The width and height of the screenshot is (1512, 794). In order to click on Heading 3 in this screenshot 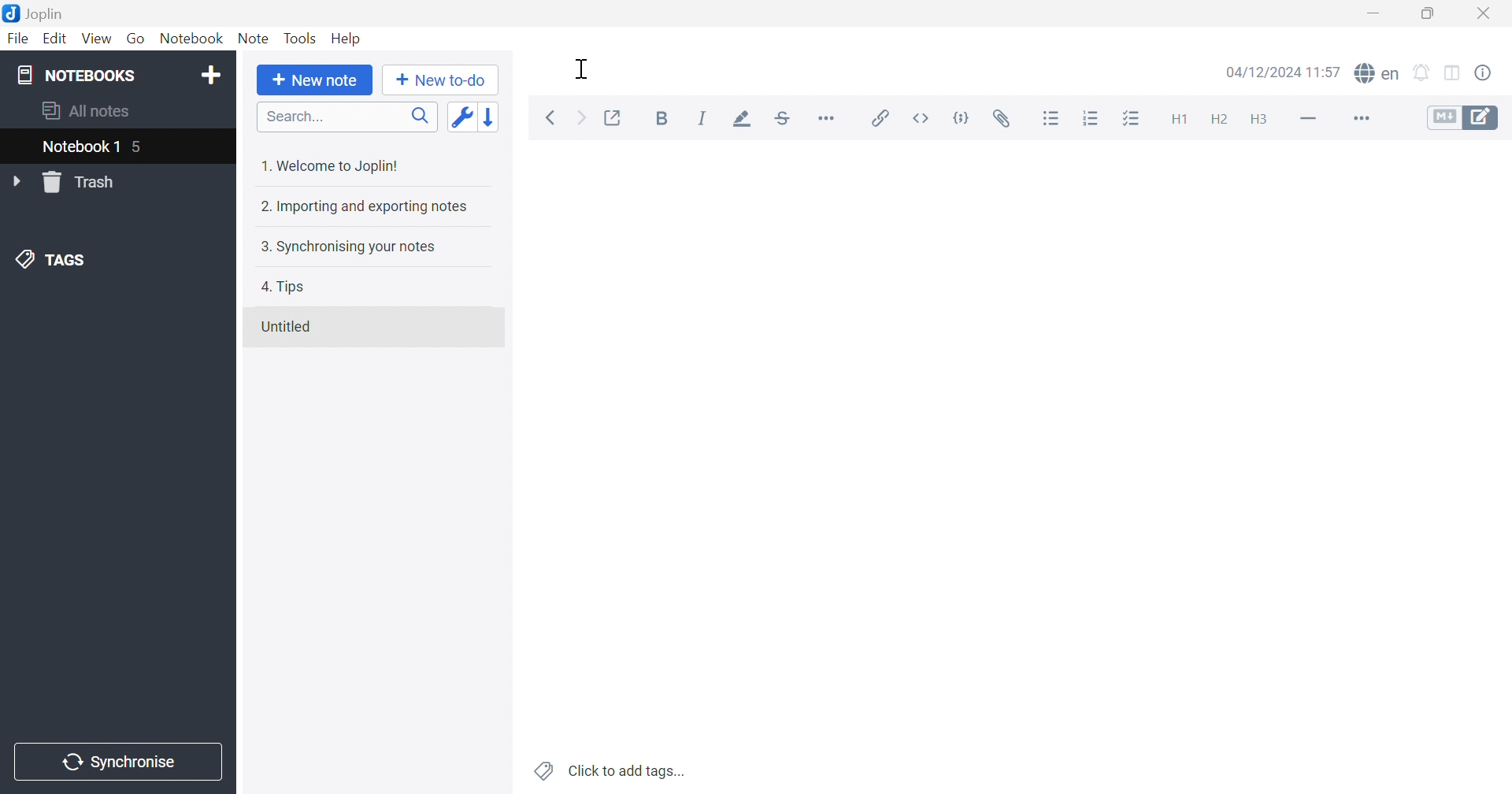, I will do `click(1260, 121)`.